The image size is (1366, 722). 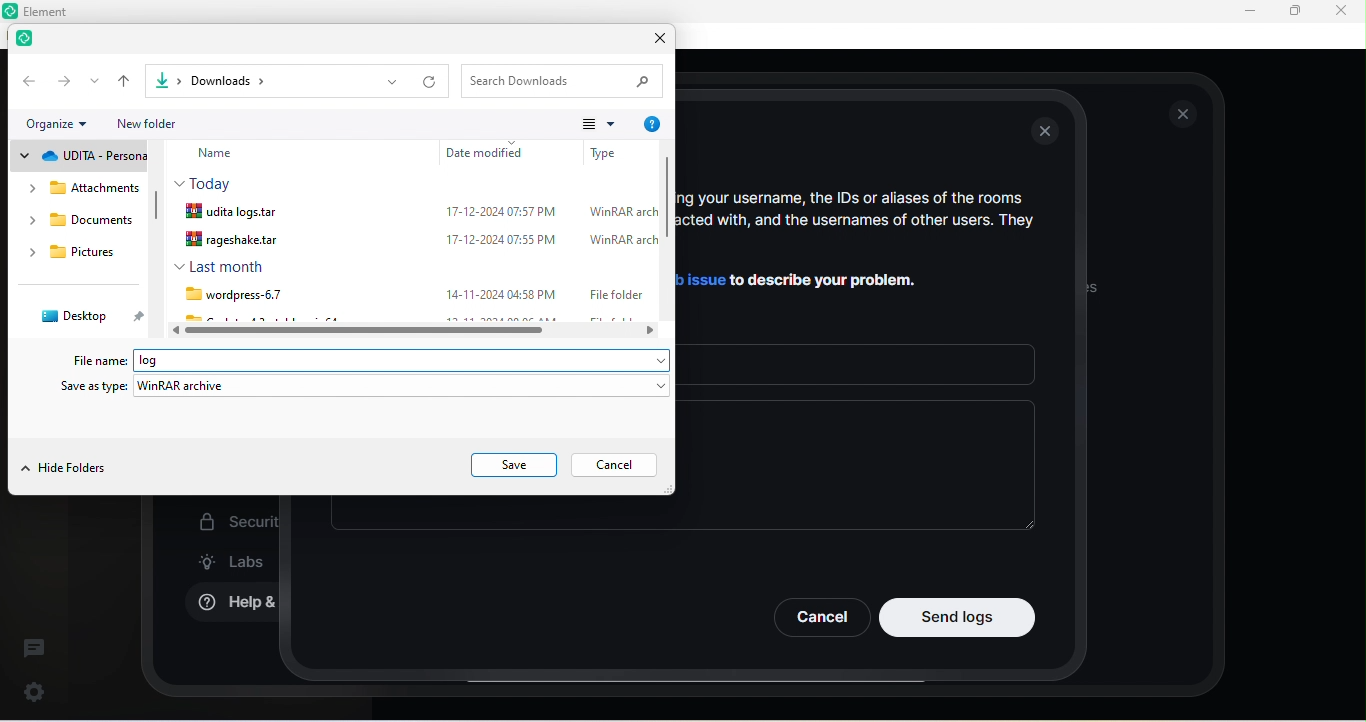 I want to click on Last month, so click(x=219, y=266).